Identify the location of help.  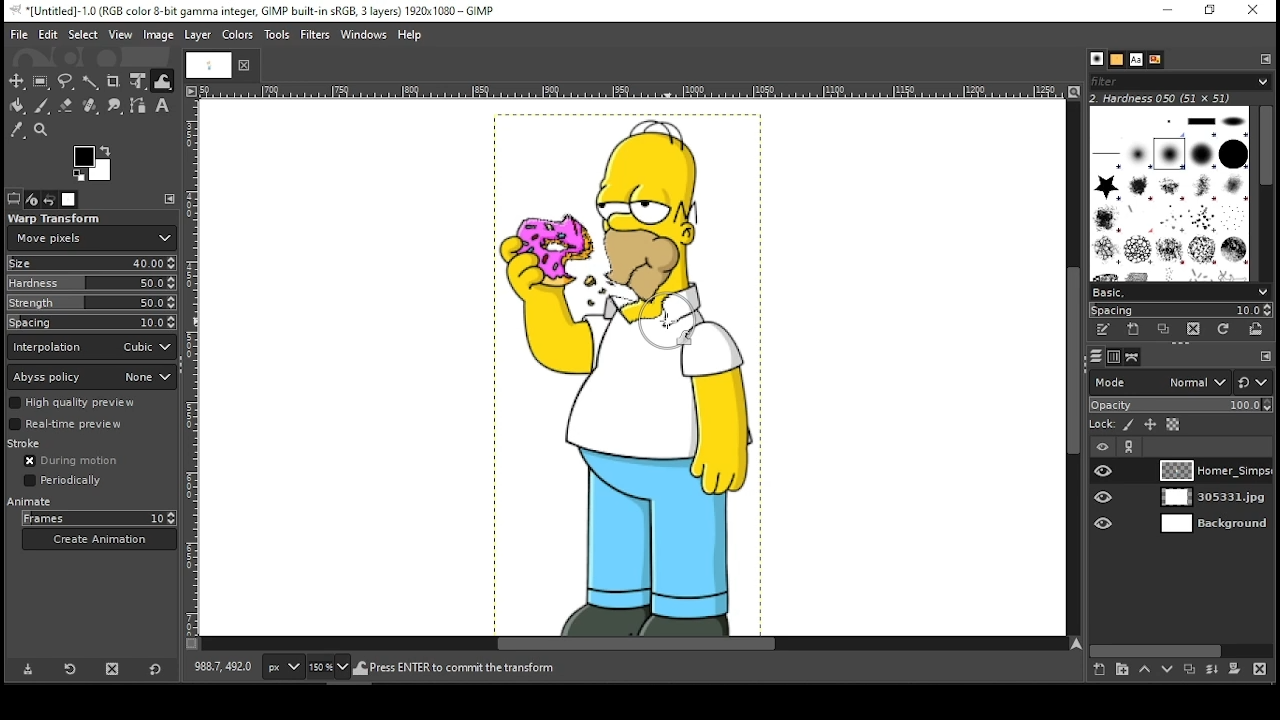
(411, 36).